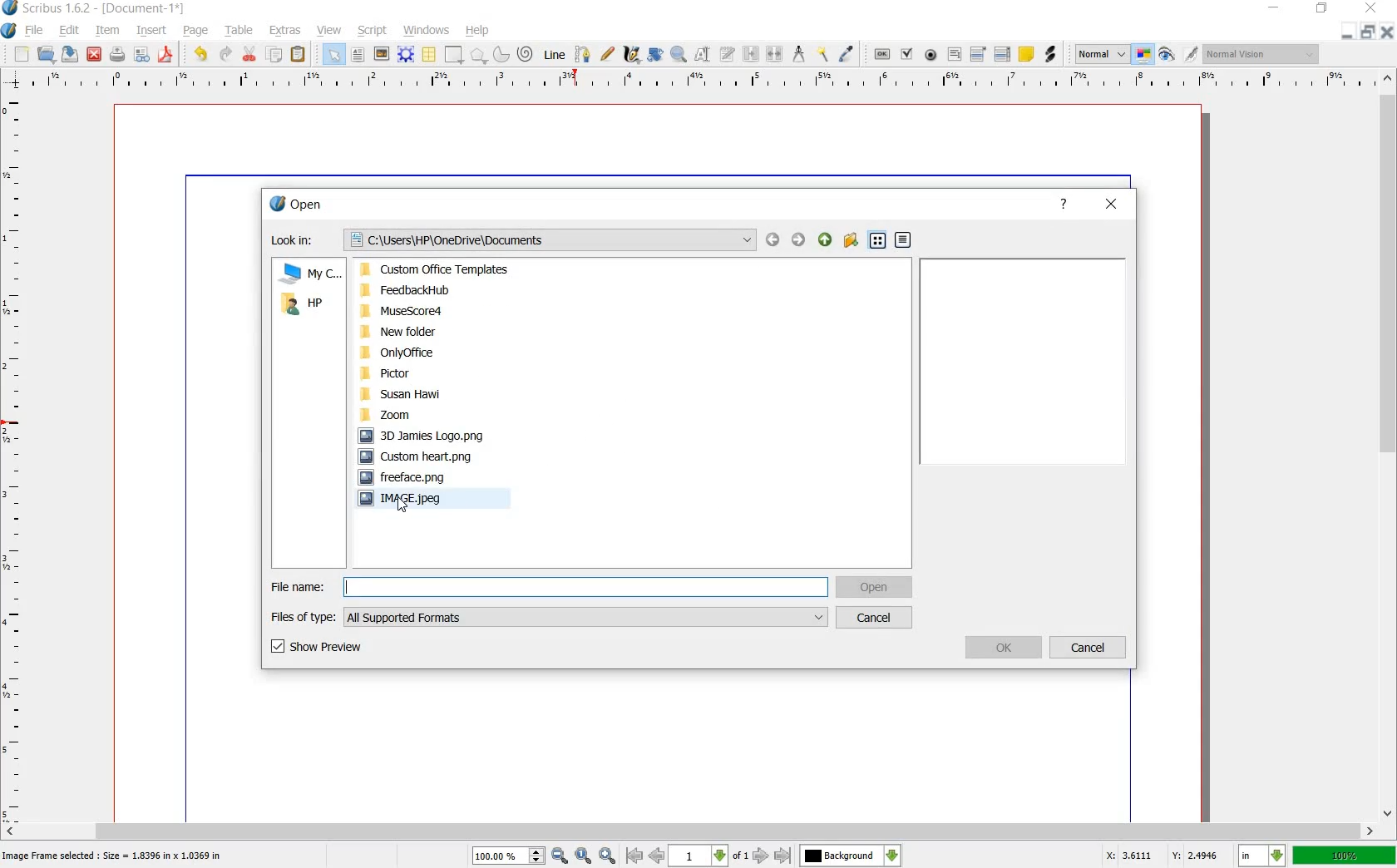  What do you see at coordinates (68, 31) in the screenshot?
I see `edit` at bounding box center [68, 31].